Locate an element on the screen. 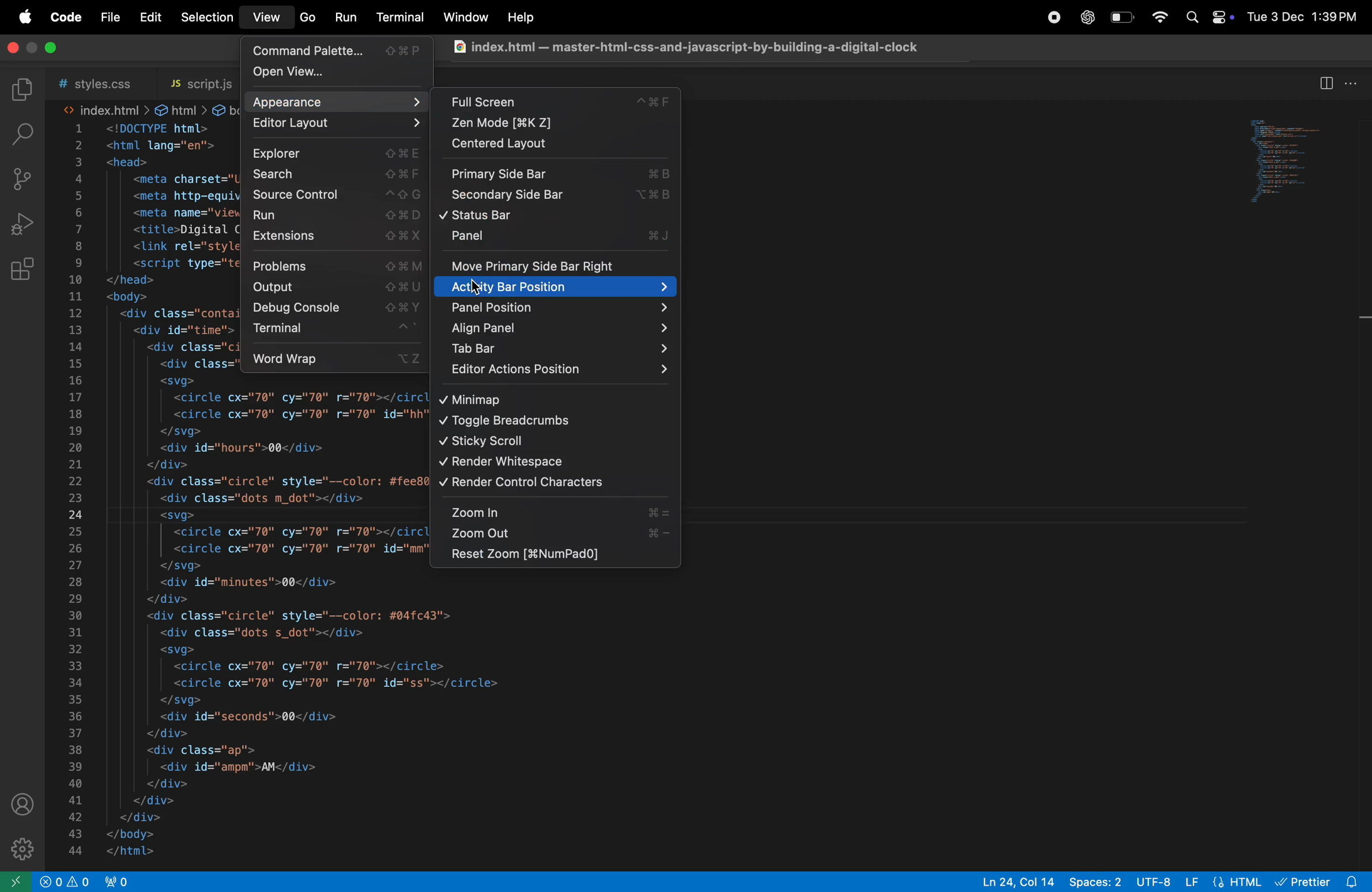 This screenshot has height=892, width=1372. open remote window is located at coordinates (18, 882).